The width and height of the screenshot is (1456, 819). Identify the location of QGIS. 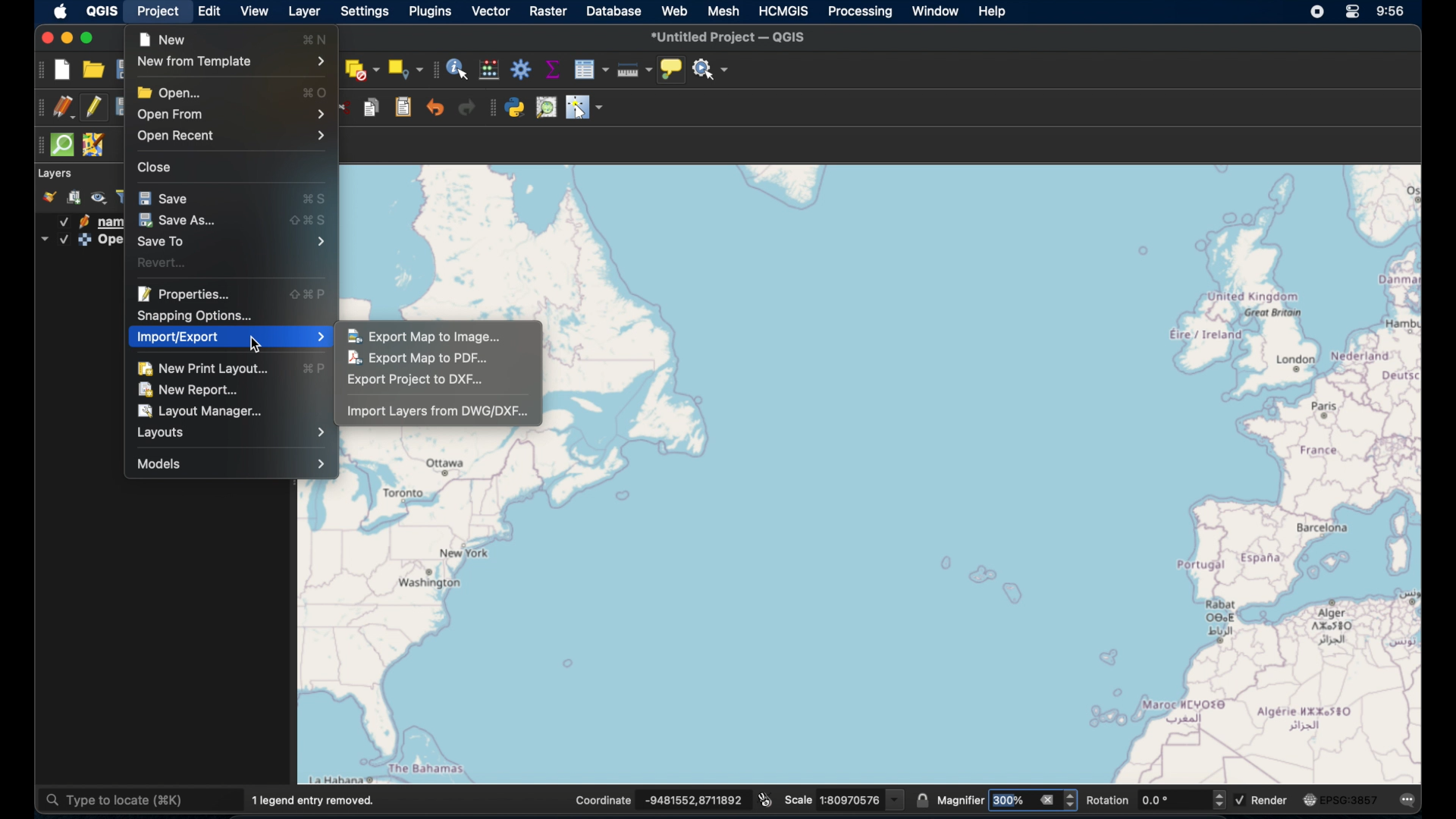
(102, 11).